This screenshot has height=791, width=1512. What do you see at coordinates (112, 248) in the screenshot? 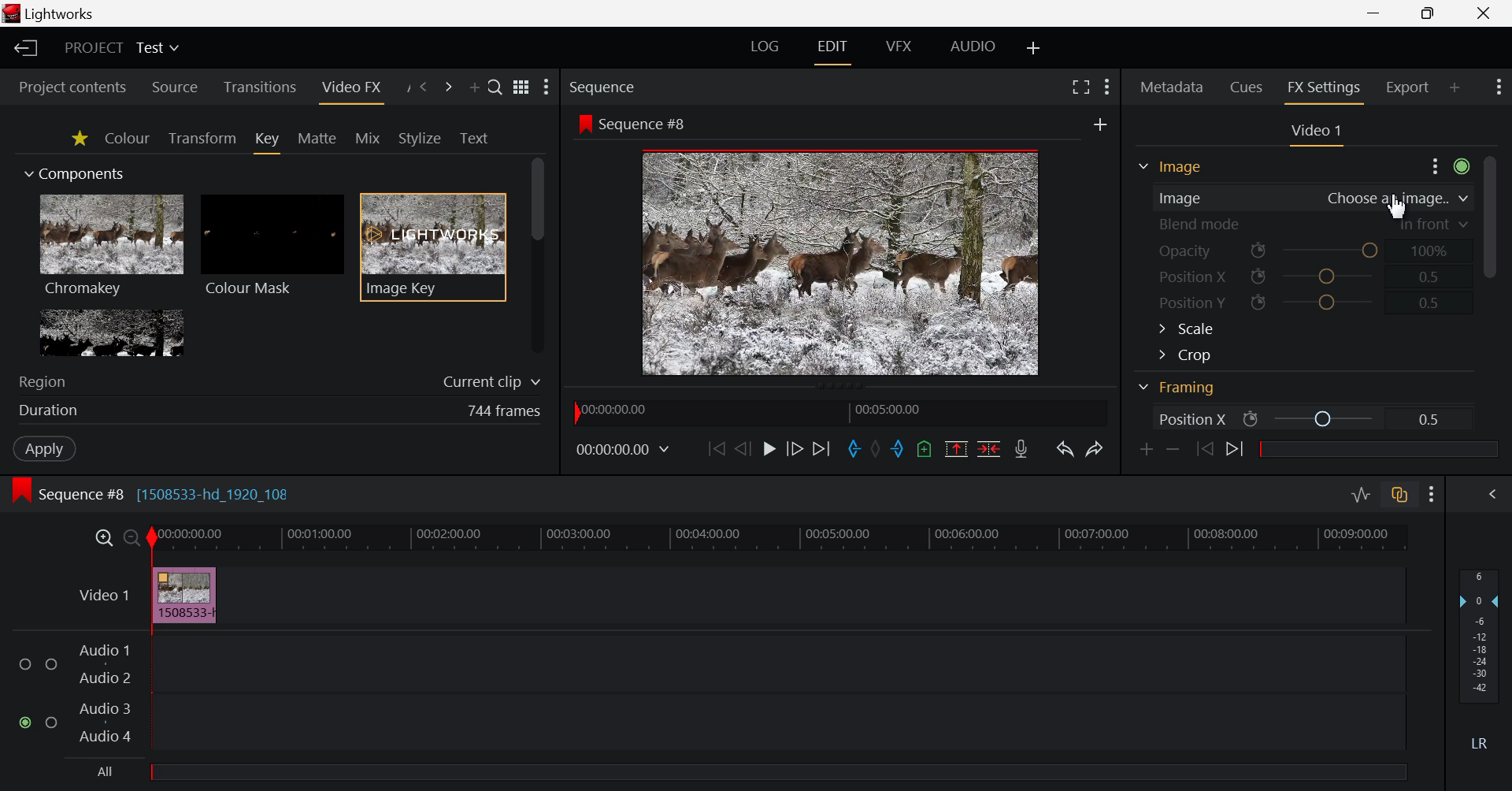
I see `Chromakey` at bounding box center [112, 248].